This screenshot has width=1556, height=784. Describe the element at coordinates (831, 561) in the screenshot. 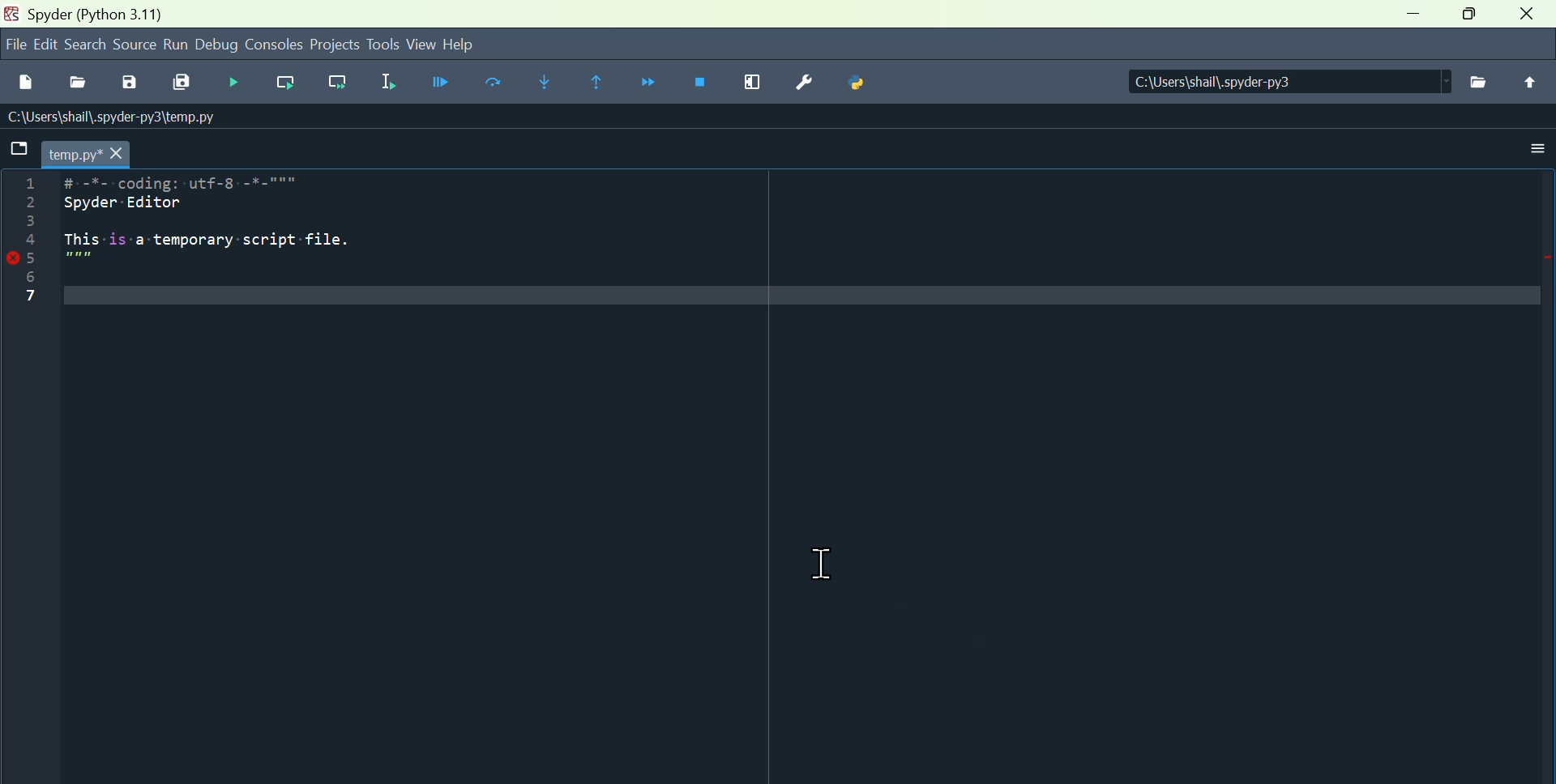

I see `Cursor` at that location.